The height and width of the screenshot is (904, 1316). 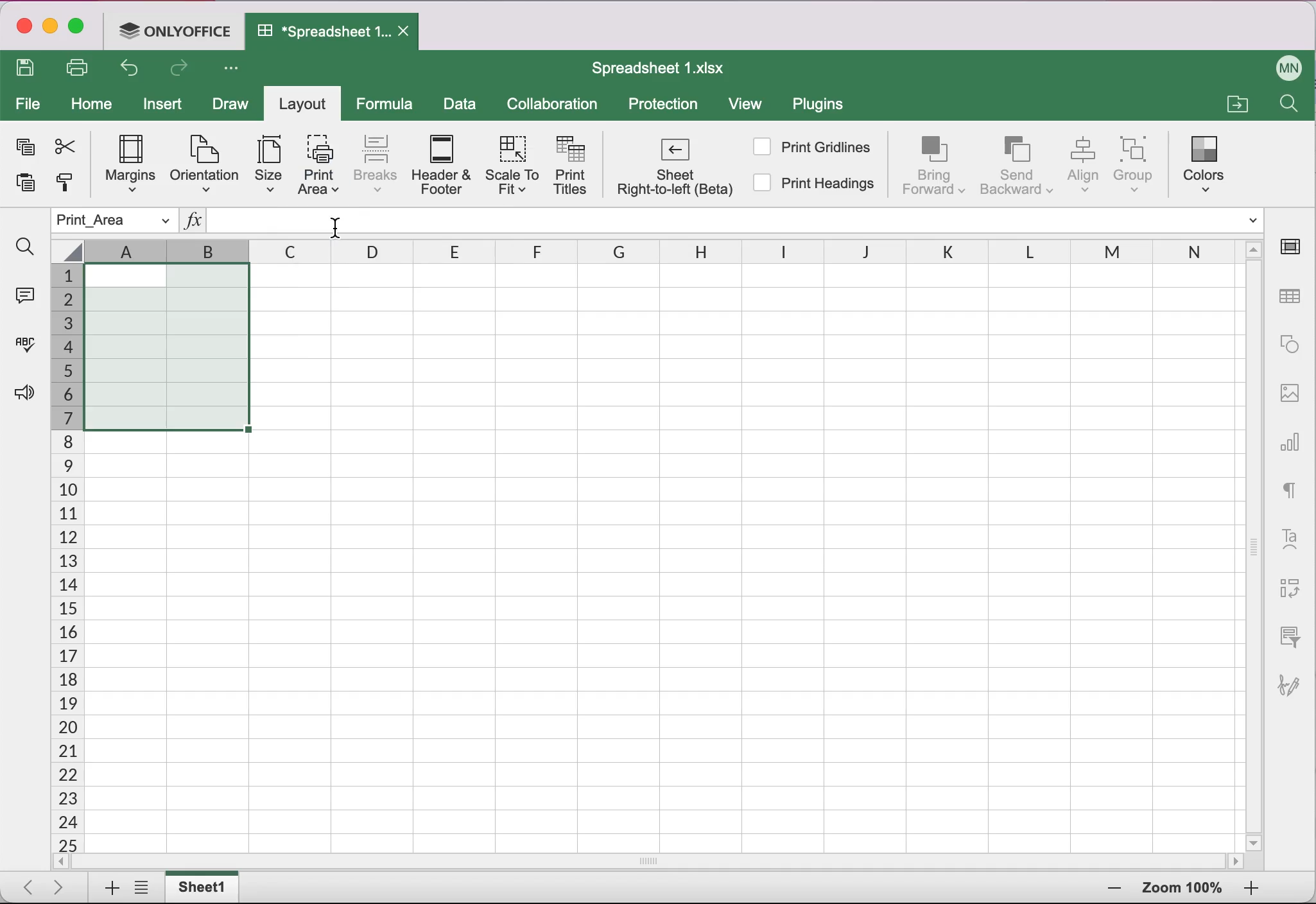 What do you see at coordinates (21, 394) in the screenshot?
I see `feedback and support` at bounding box center [21, 394].